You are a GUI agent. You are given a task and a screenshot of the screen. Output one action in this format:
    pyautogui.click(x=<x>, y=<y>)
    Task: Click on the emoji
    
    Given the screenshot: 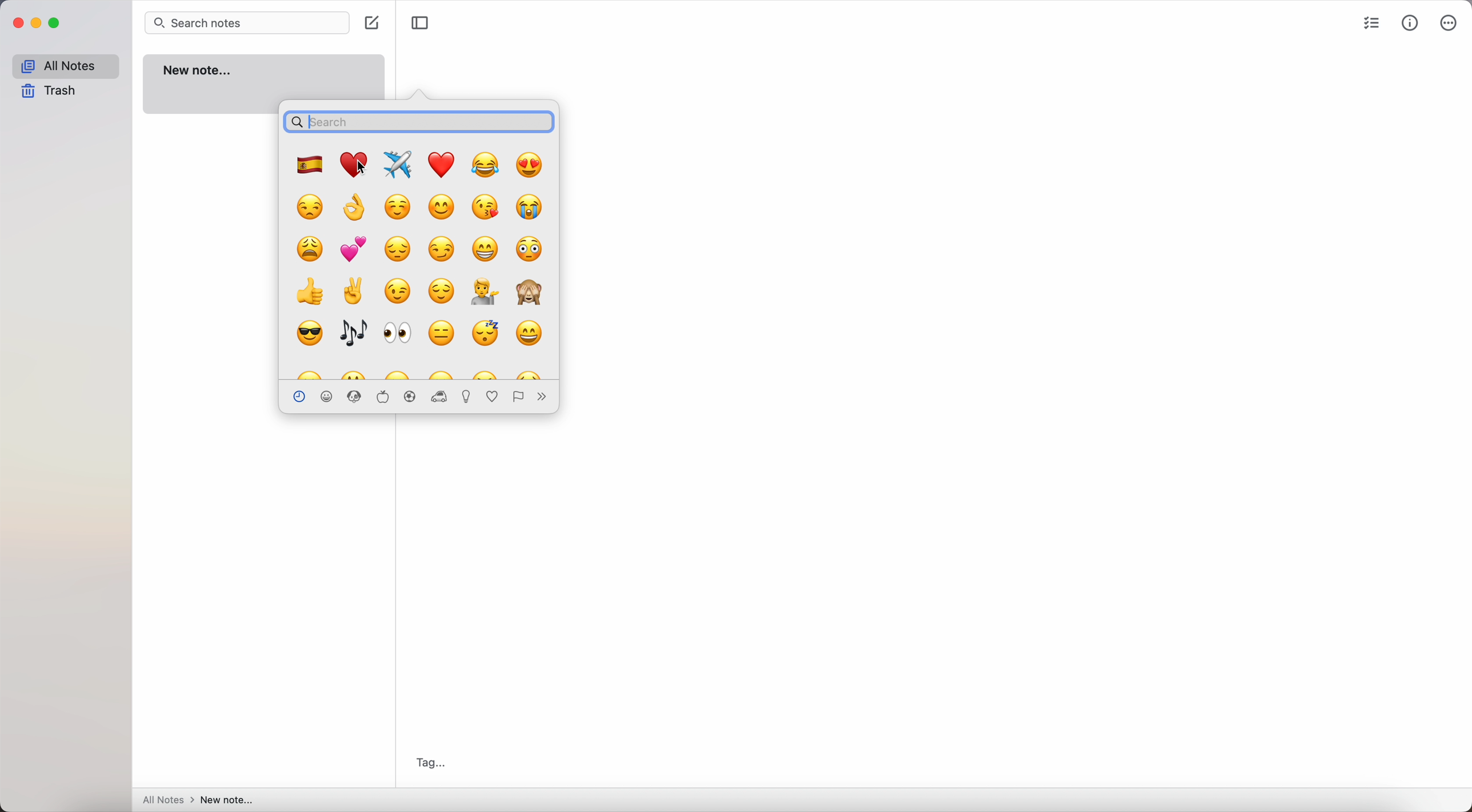 What is the action you would take?
    pyautogui.click(x=309, y=291)
    